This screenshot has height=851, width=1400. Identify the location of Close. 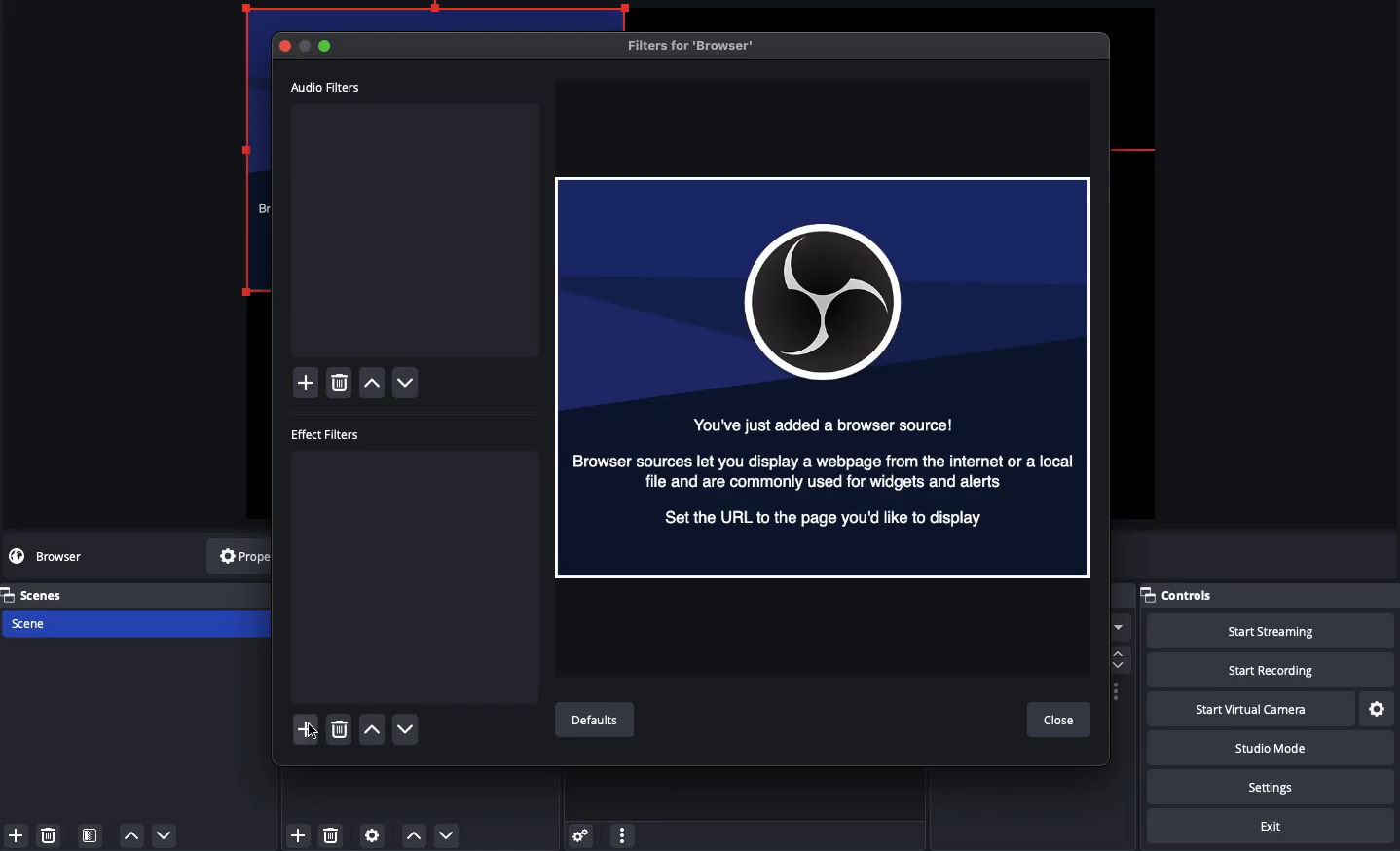
(287, 45).